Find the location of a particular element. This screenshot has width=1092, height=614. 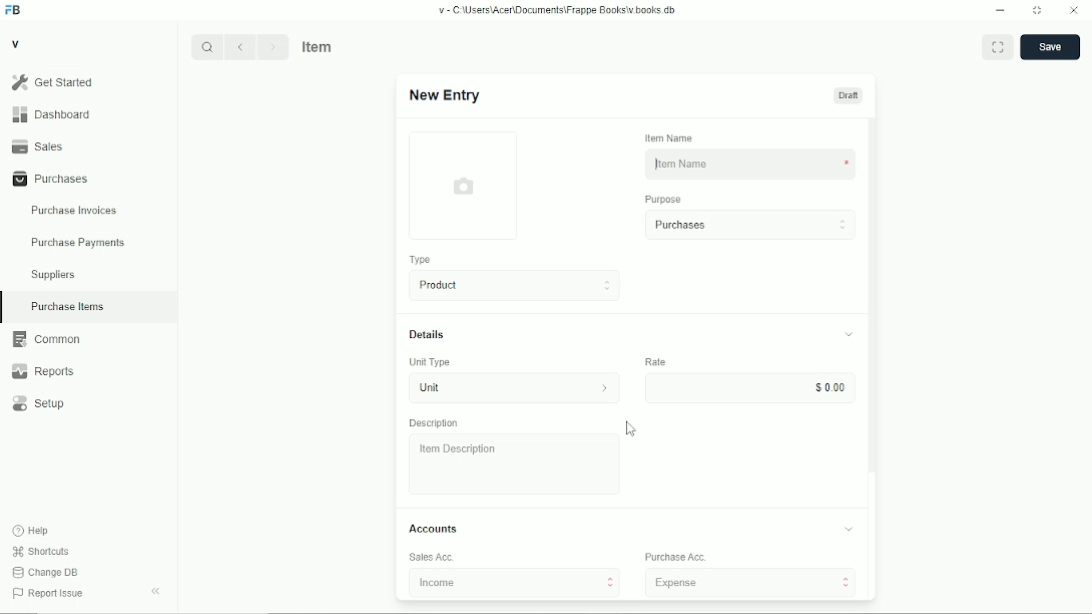

FB is located at coordinates (14, 11).